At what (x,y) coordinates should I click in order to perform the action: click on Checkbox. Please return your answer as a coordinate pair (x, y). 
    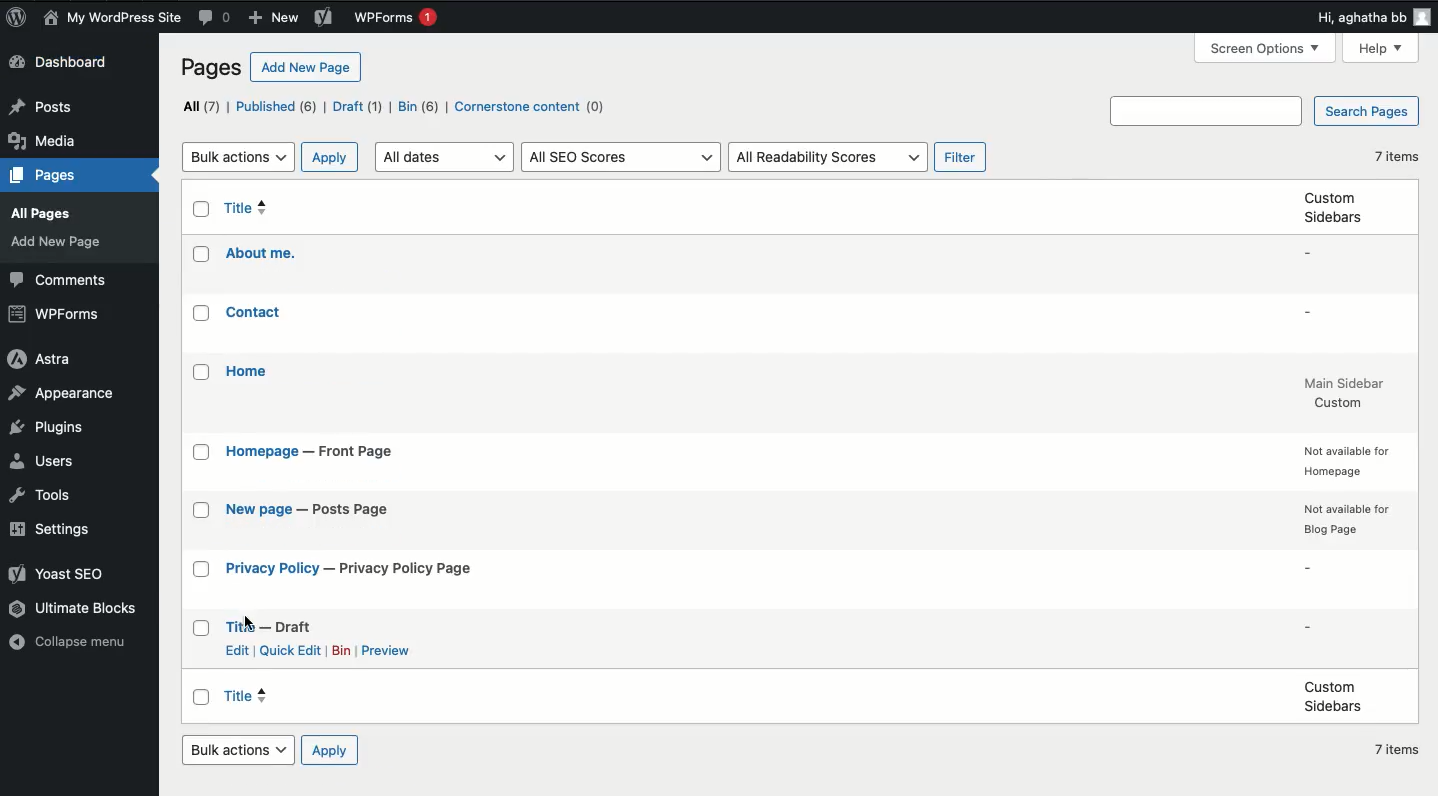
    Looking at the image, I should click on (204, 255).